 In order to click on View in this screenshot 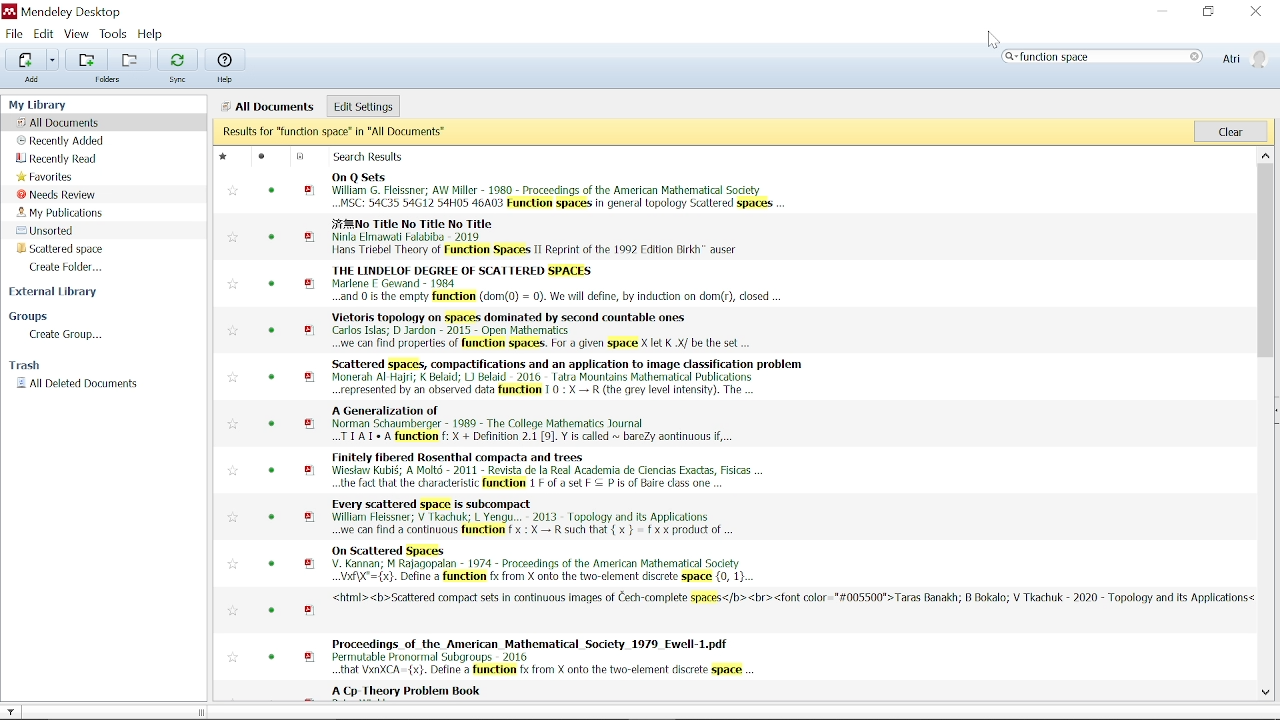, I will do `click(77, 34)`.